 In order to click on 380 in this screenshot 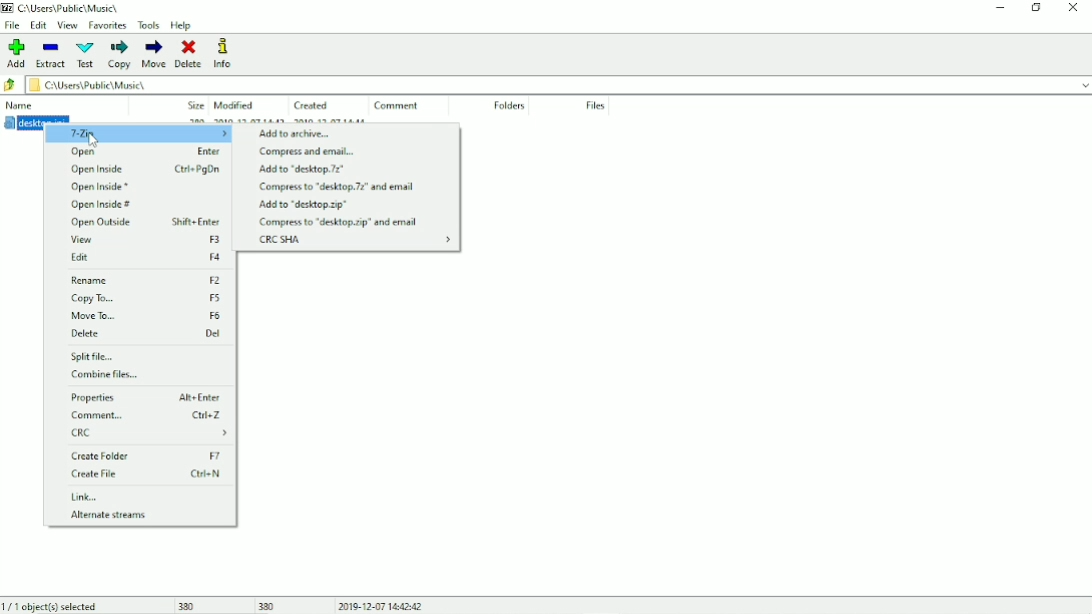, I will do `click(187, 604)`.